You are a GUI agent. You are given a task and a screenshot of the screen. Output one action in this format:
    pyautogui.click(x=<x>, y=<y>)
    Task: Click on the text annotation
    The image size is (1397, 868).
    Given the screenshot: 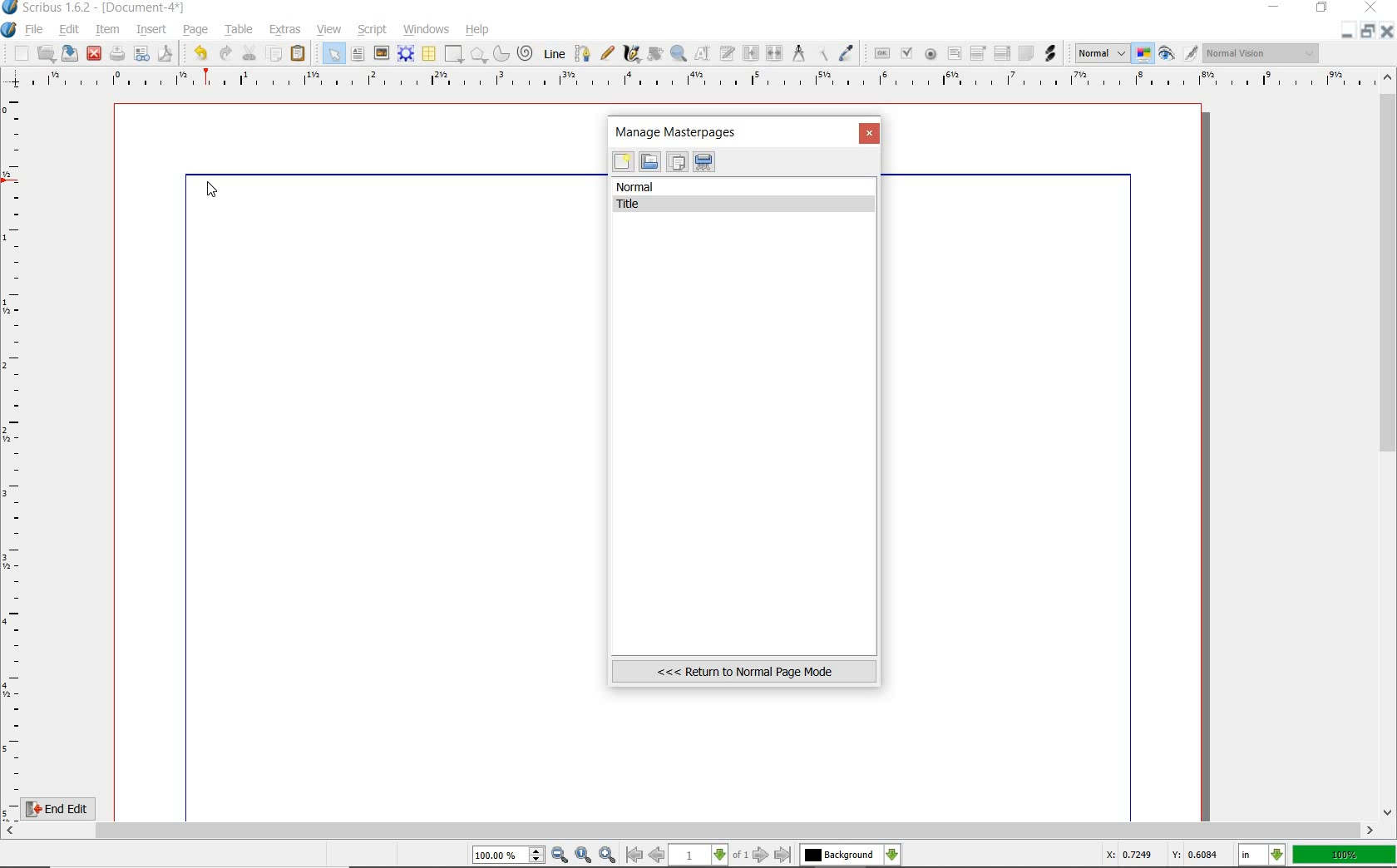 What is the action you would take?
    pyautogui.click(x=1025, y=54)
    